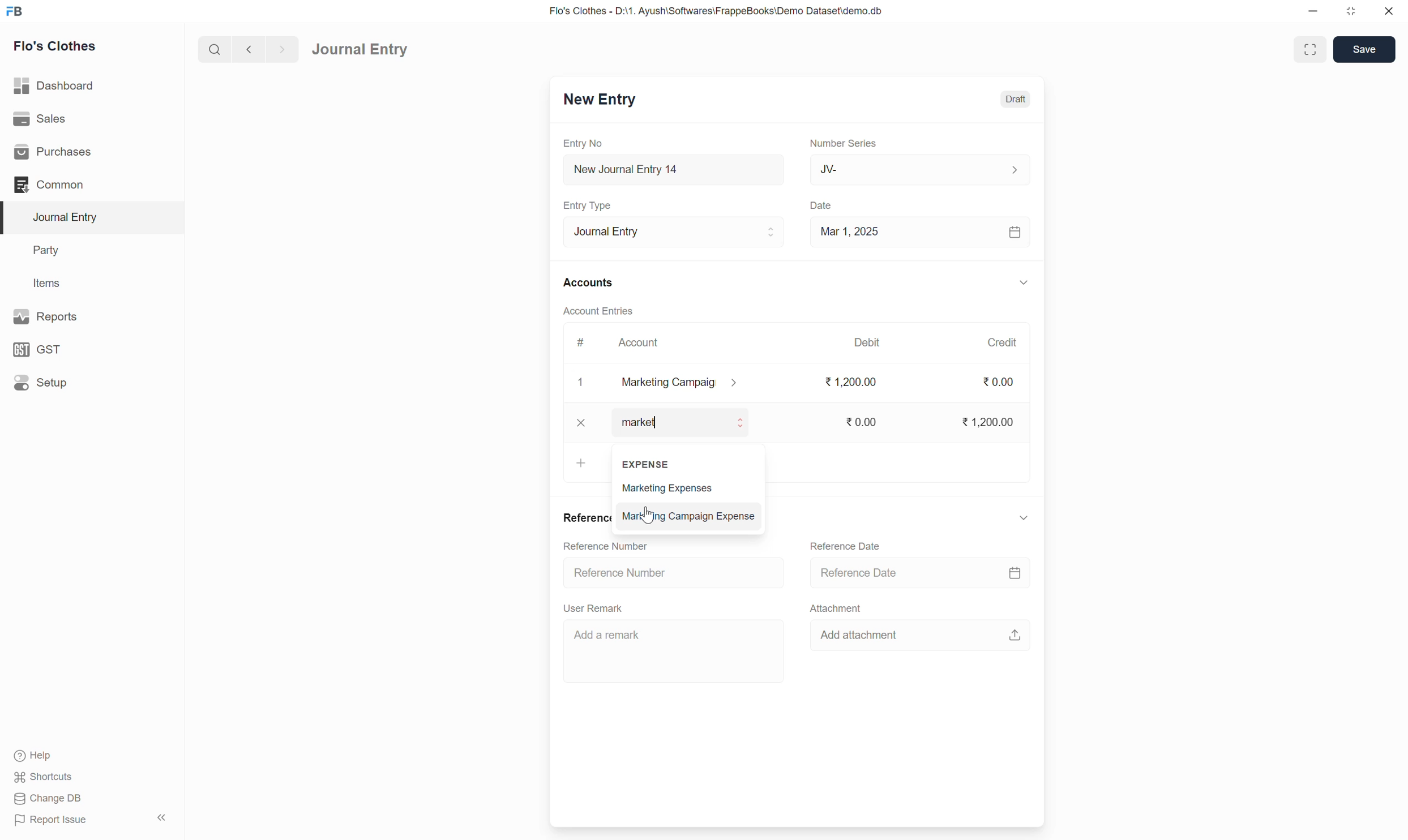 This screenshot has height=840, width=1408. I want to click on New Entry, so click(600, 98).